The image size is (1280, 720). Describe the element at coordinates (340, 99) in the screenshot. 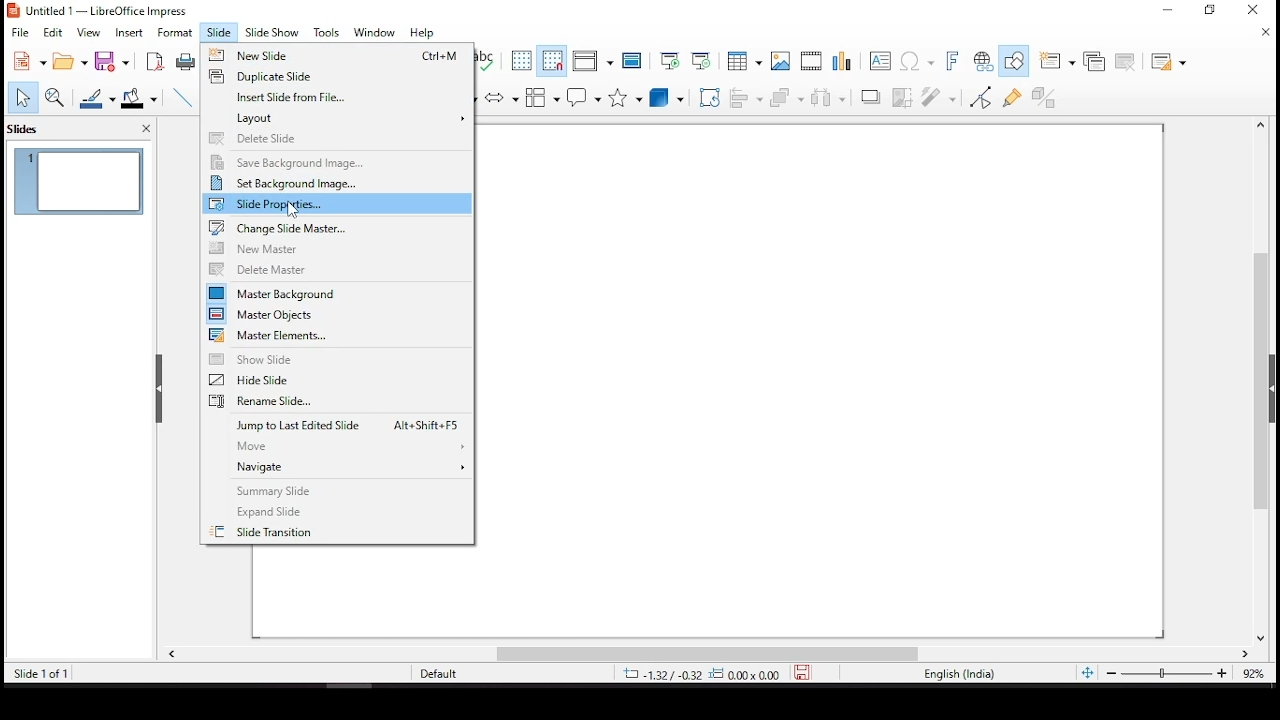

I see `insert slide from file` at that location.